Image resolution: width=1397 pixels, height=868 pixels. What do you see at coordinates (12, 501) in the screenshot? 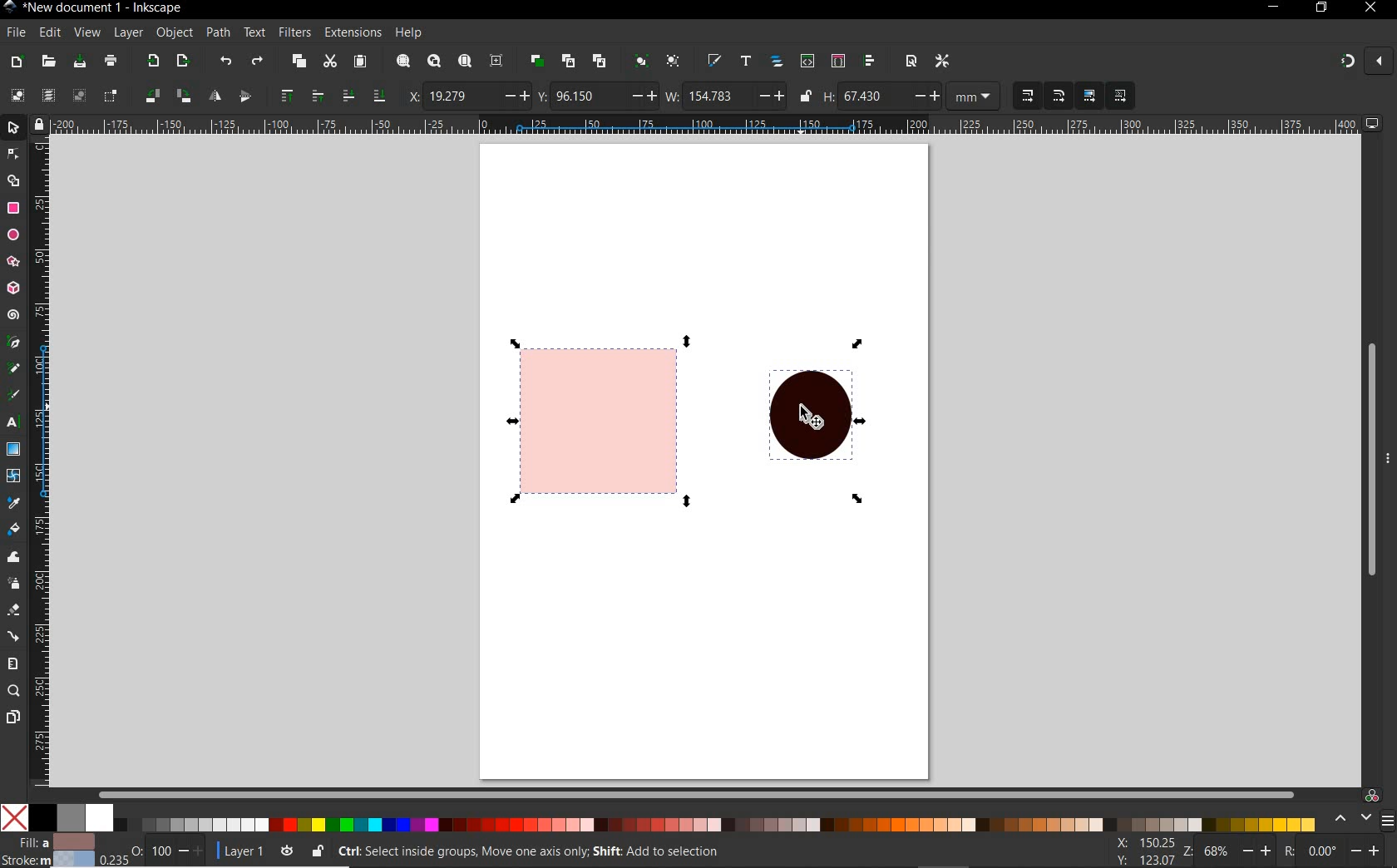
I see `dropper tool` at bounding box center [12, 501].